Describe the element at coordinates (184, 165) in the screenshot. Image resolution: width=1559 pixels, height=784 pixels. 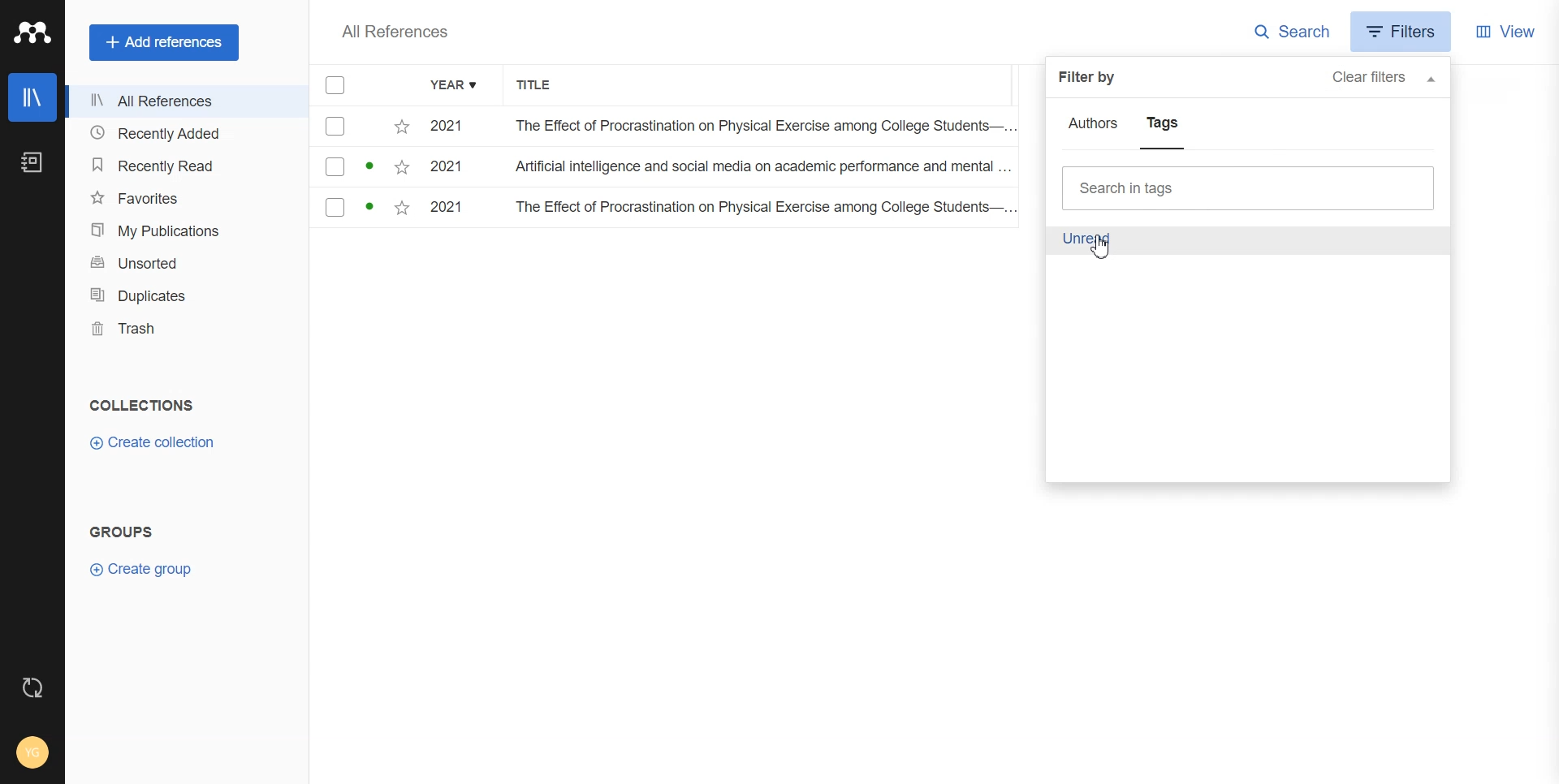
I see `Recently Read` at that location.